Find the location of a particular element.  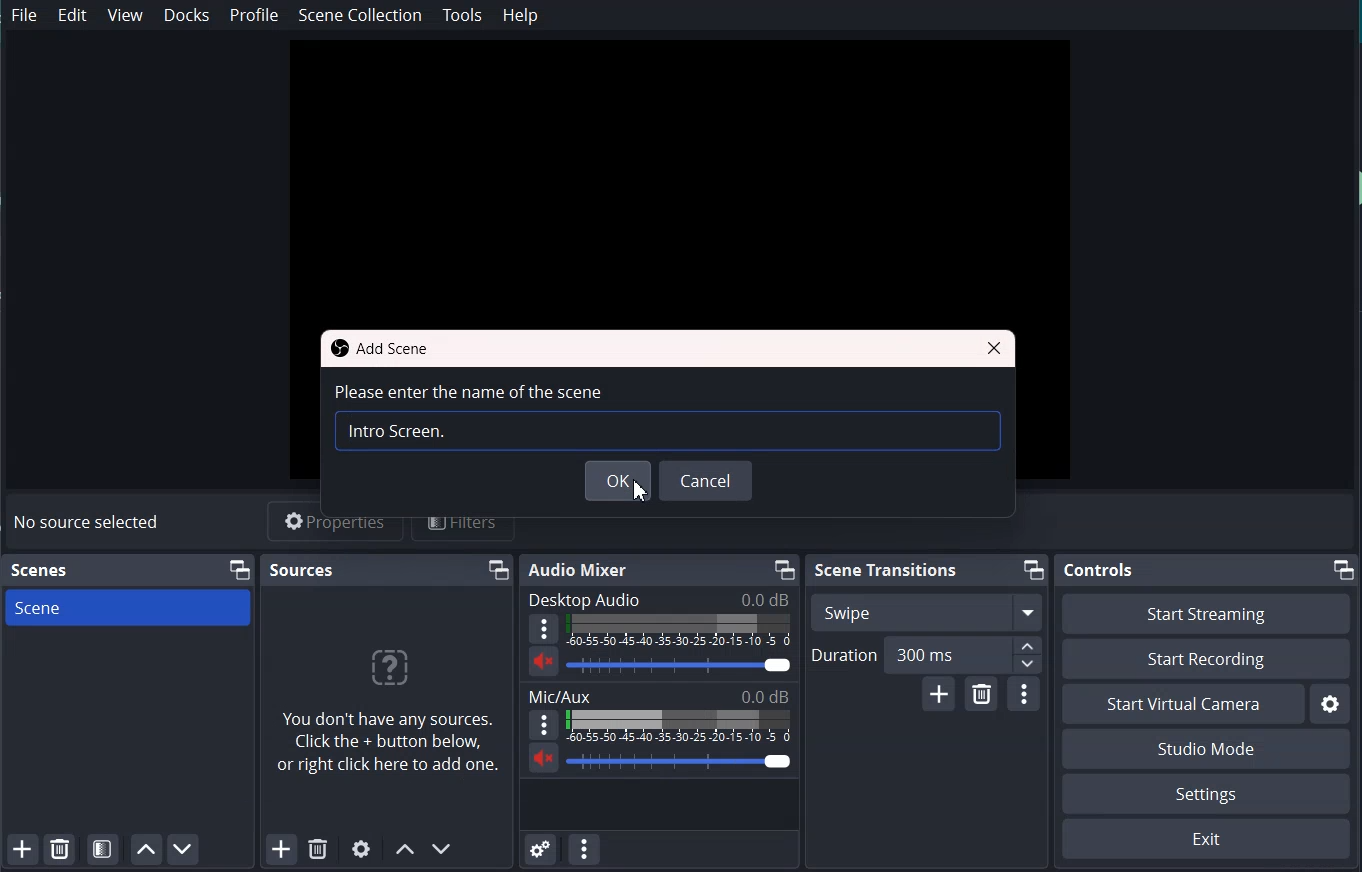

Advance Audio Properties is located at coordinates (541, 847).